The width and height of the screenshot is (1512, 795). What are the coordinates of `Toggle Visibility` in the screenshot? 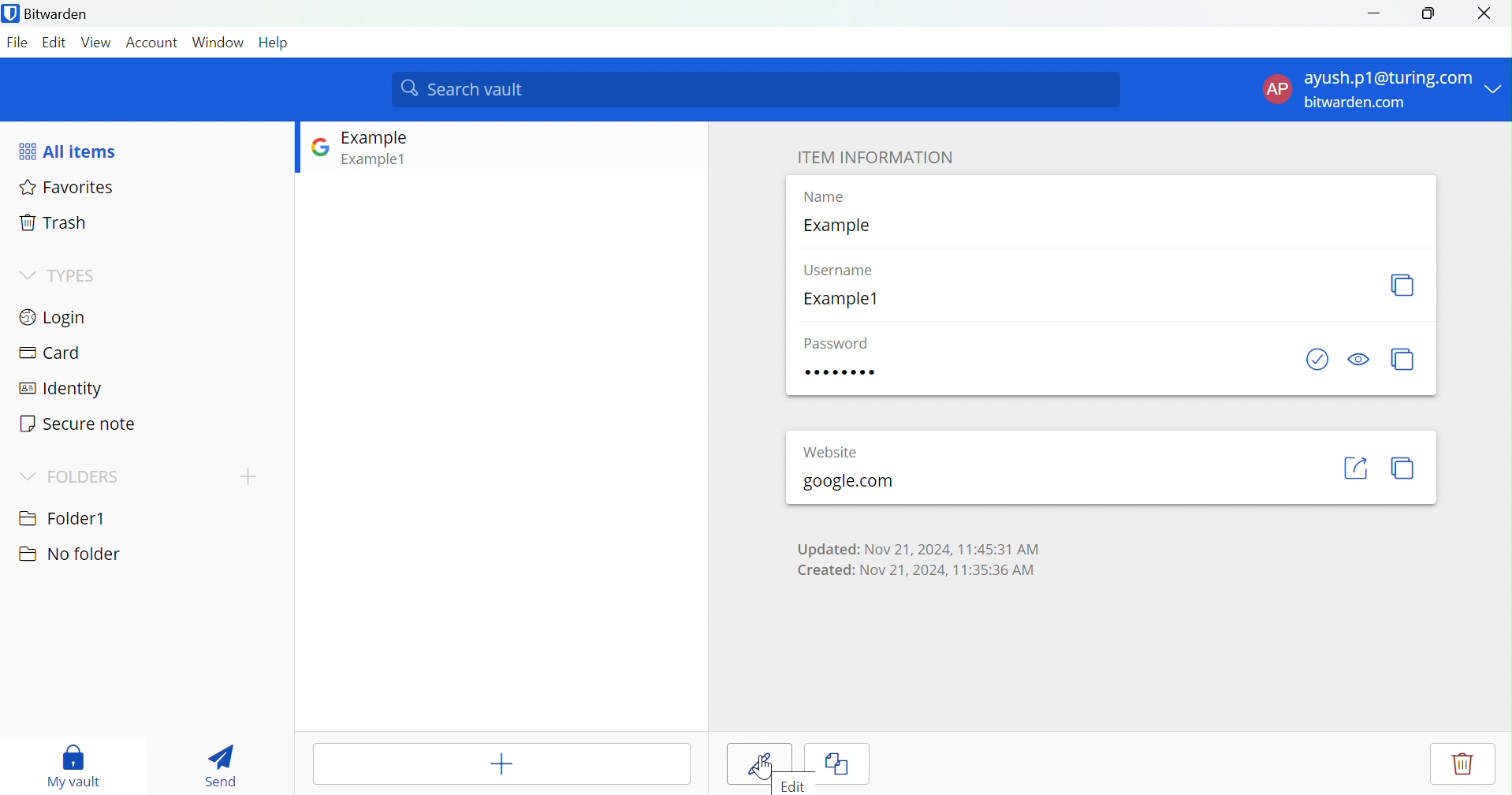 It's located at (1359, 358).